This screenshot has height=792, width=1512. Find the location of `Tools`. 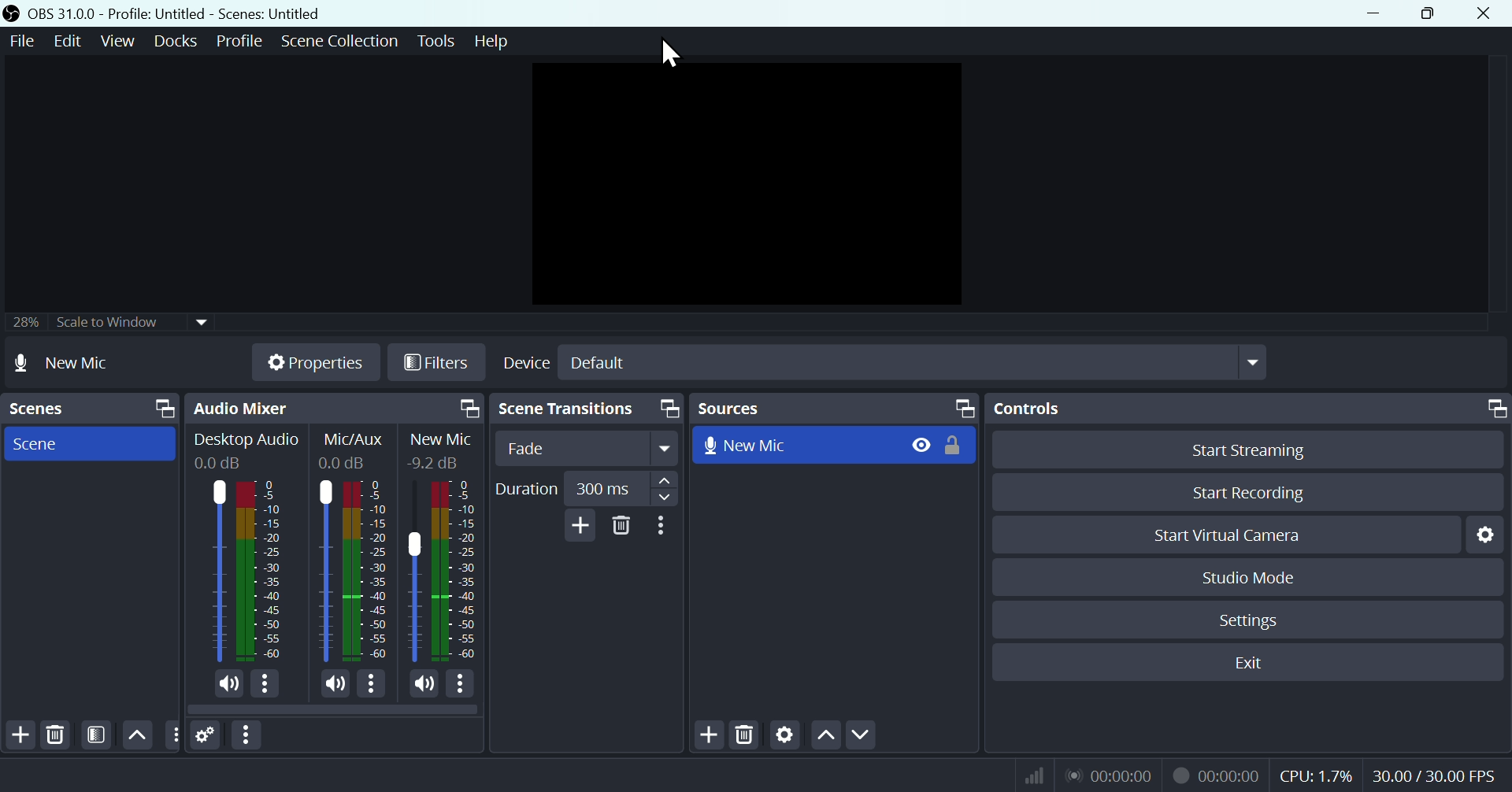

Tools is located at coordinates (439, 41).